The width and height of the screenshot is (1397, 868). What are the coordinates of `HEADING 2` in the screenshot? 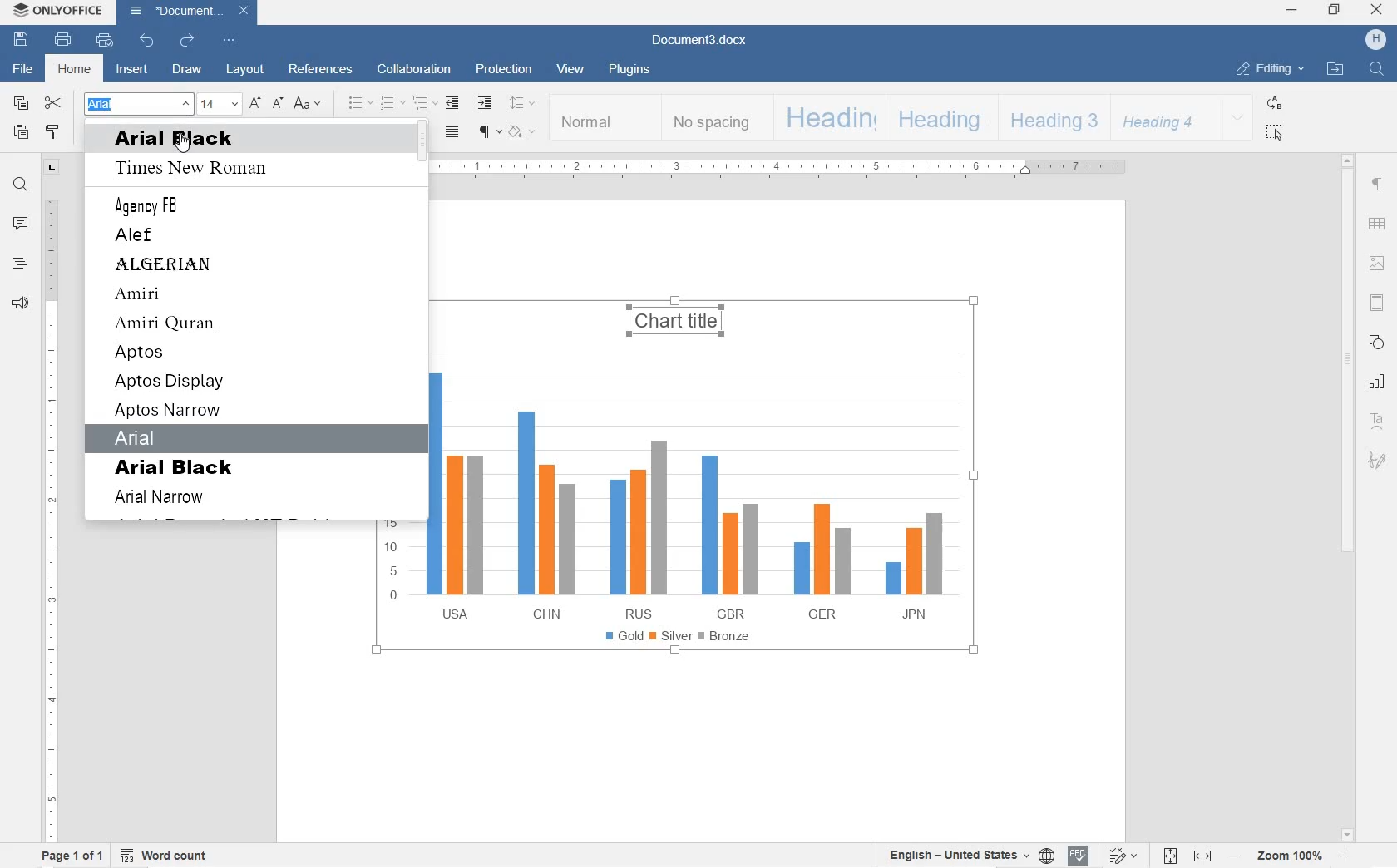 It's located at (939, 118).